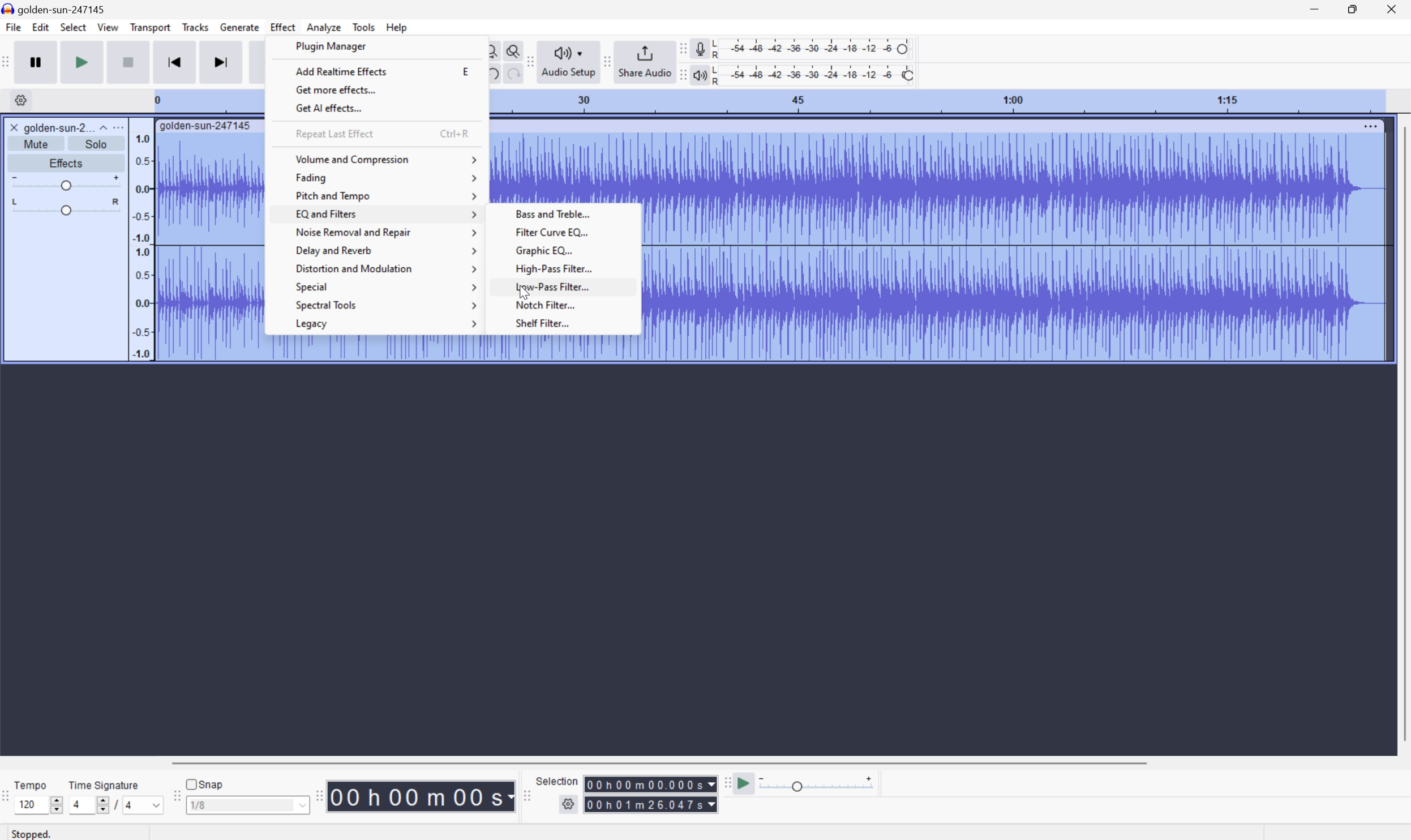  I want to click on Get more effects, so click(335, 89).